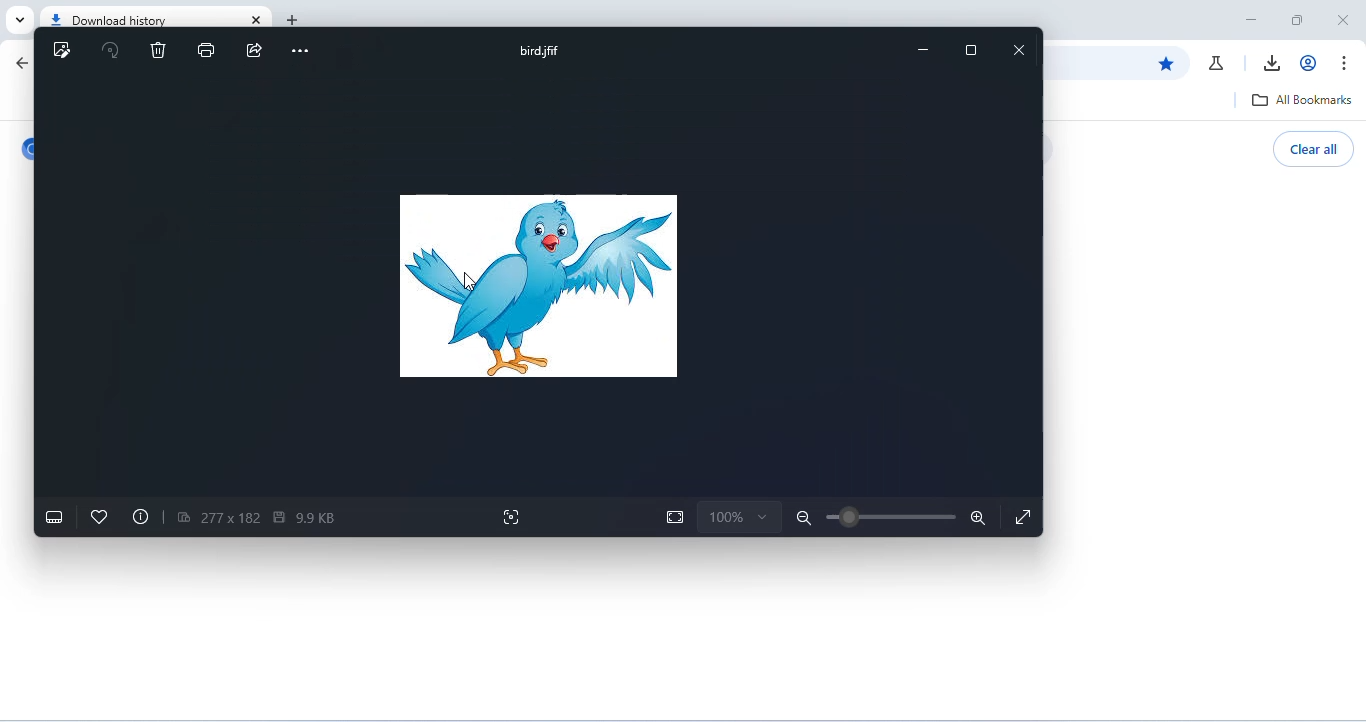 Image resolution: width=1366 pixels, height=722 pixels. Describe the element at coordinates (55, 516) in the screenshot. I see `show filmstrip` at that location.